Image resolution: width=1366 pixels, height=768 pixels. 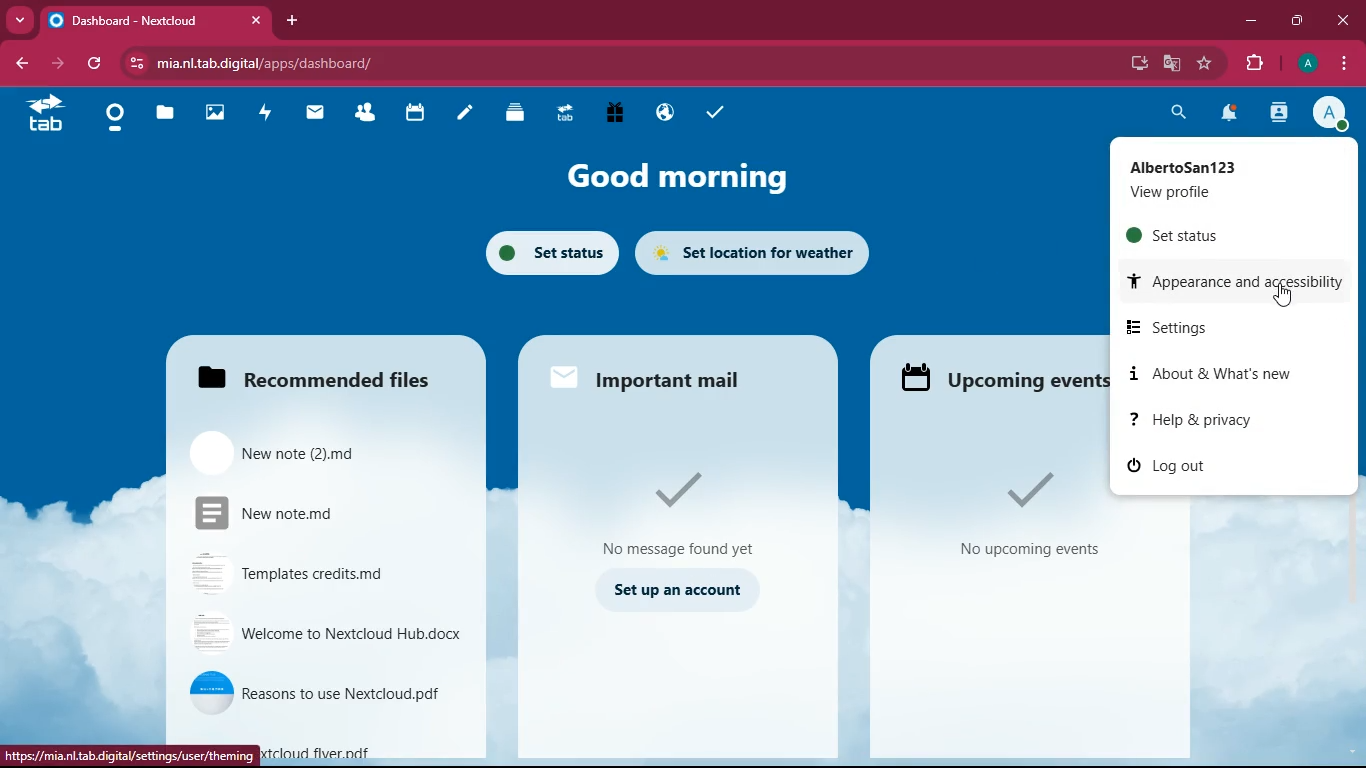 I want to click on minimize, so click(x=1252, y=21).